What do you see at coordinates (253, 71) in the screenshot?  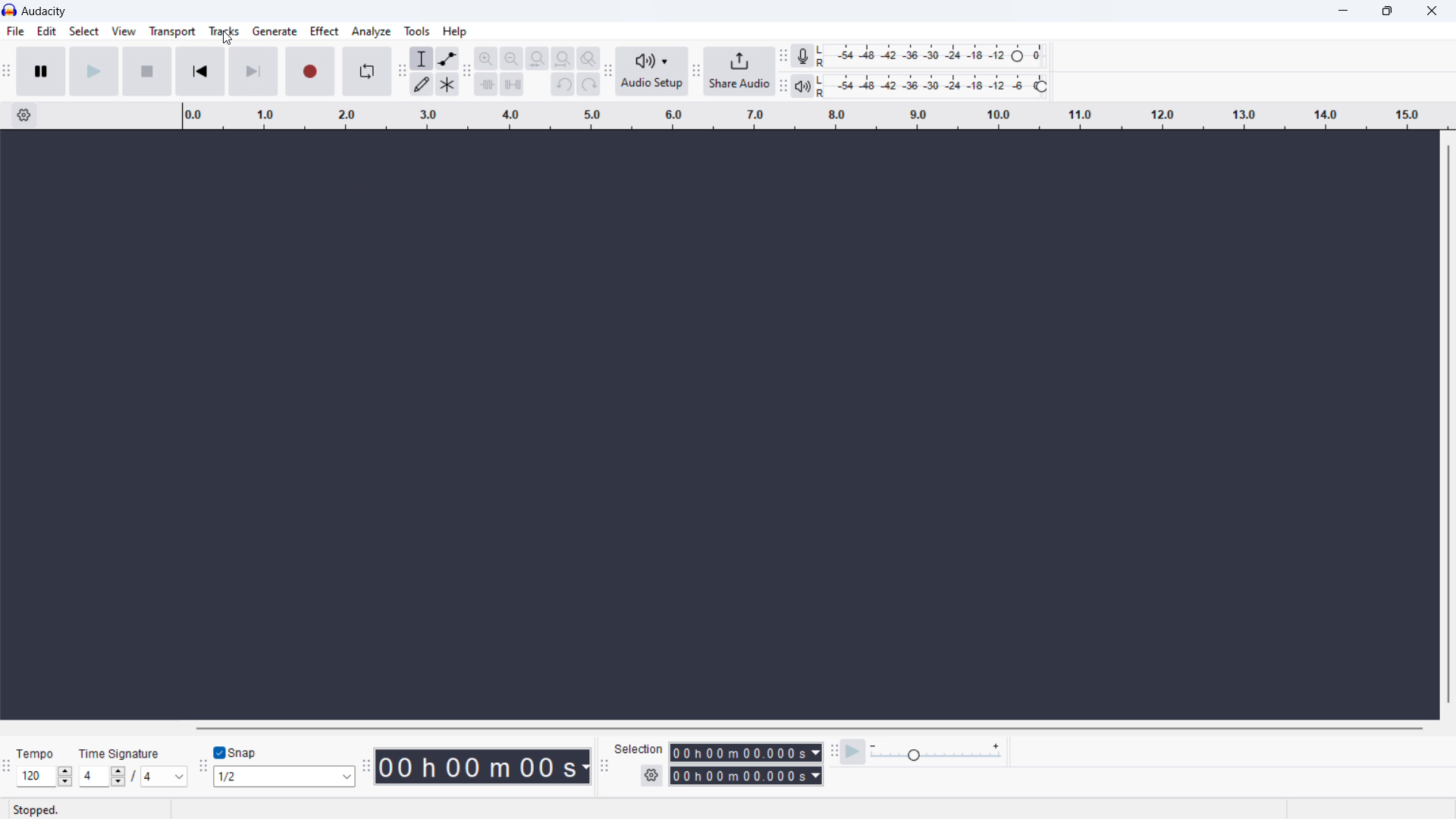 I see `skip to end` at bounding box center [253, 71].